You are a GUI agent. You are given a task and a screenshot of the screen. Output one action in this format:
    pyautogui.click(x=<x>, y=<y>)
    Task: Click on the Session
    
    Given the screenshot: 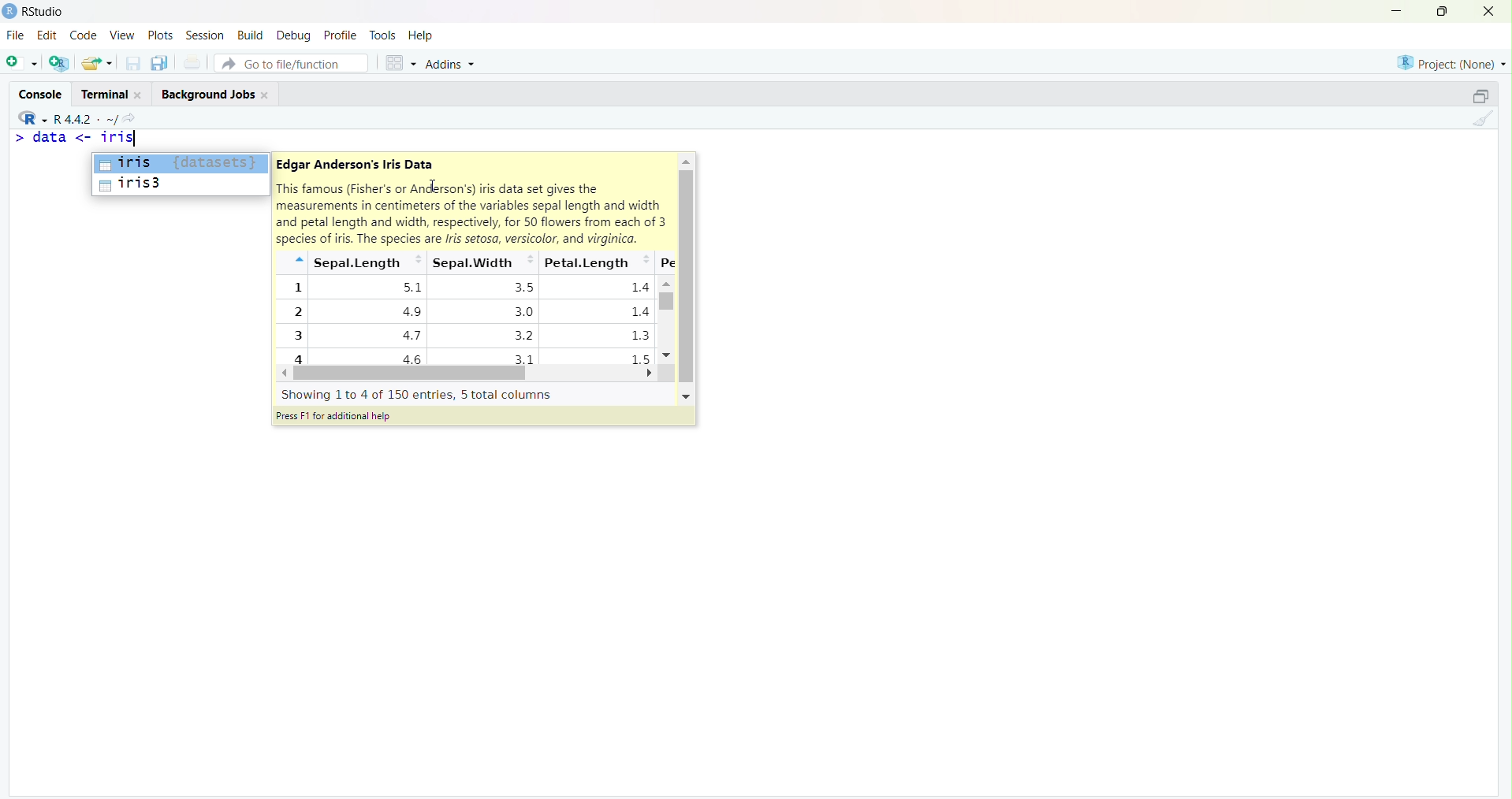 What is the action you would take?
    pyautogui.click(x=205, y=36)
    